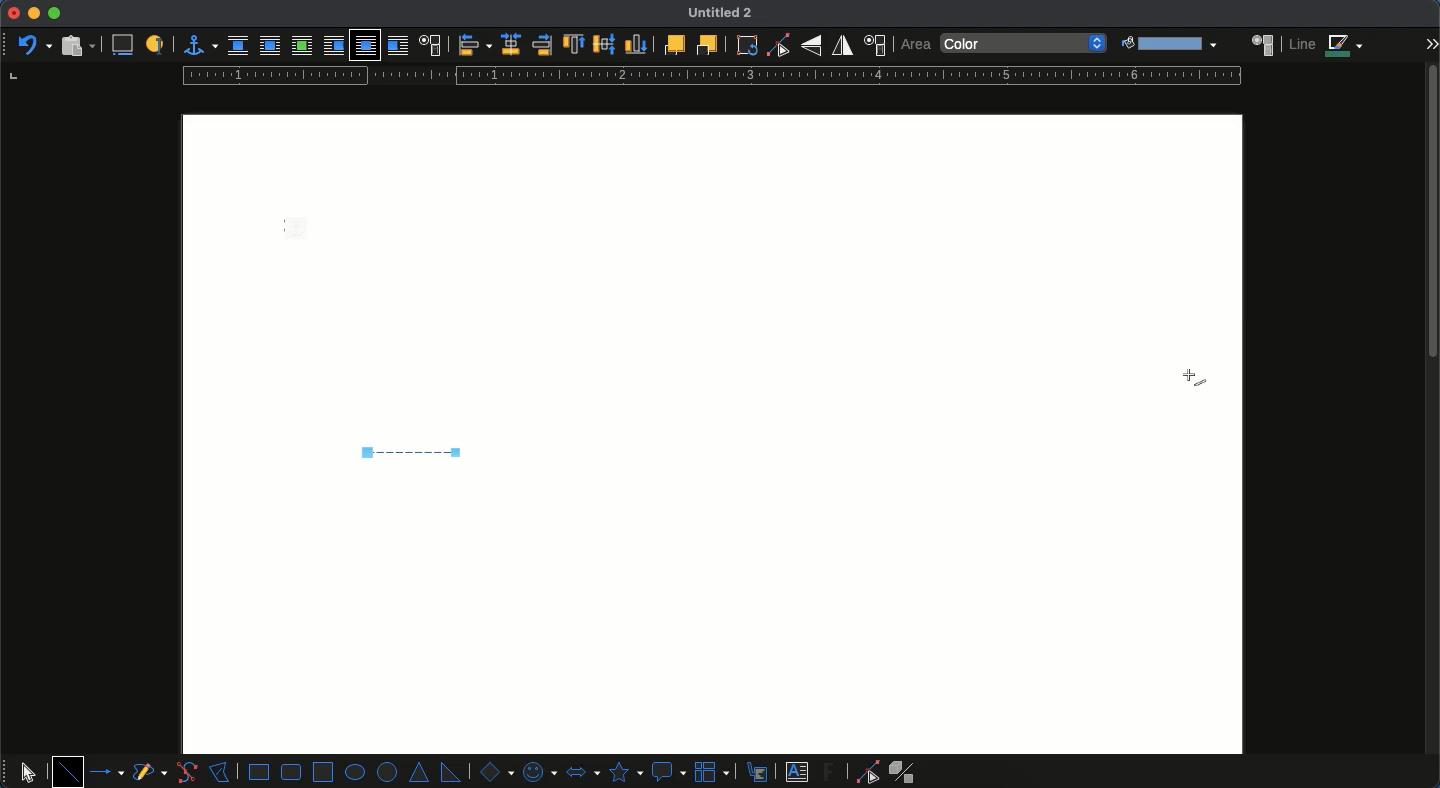  Describe the element at coordinates (121, 46) in the screenshot. I see `insert caption` at that location.